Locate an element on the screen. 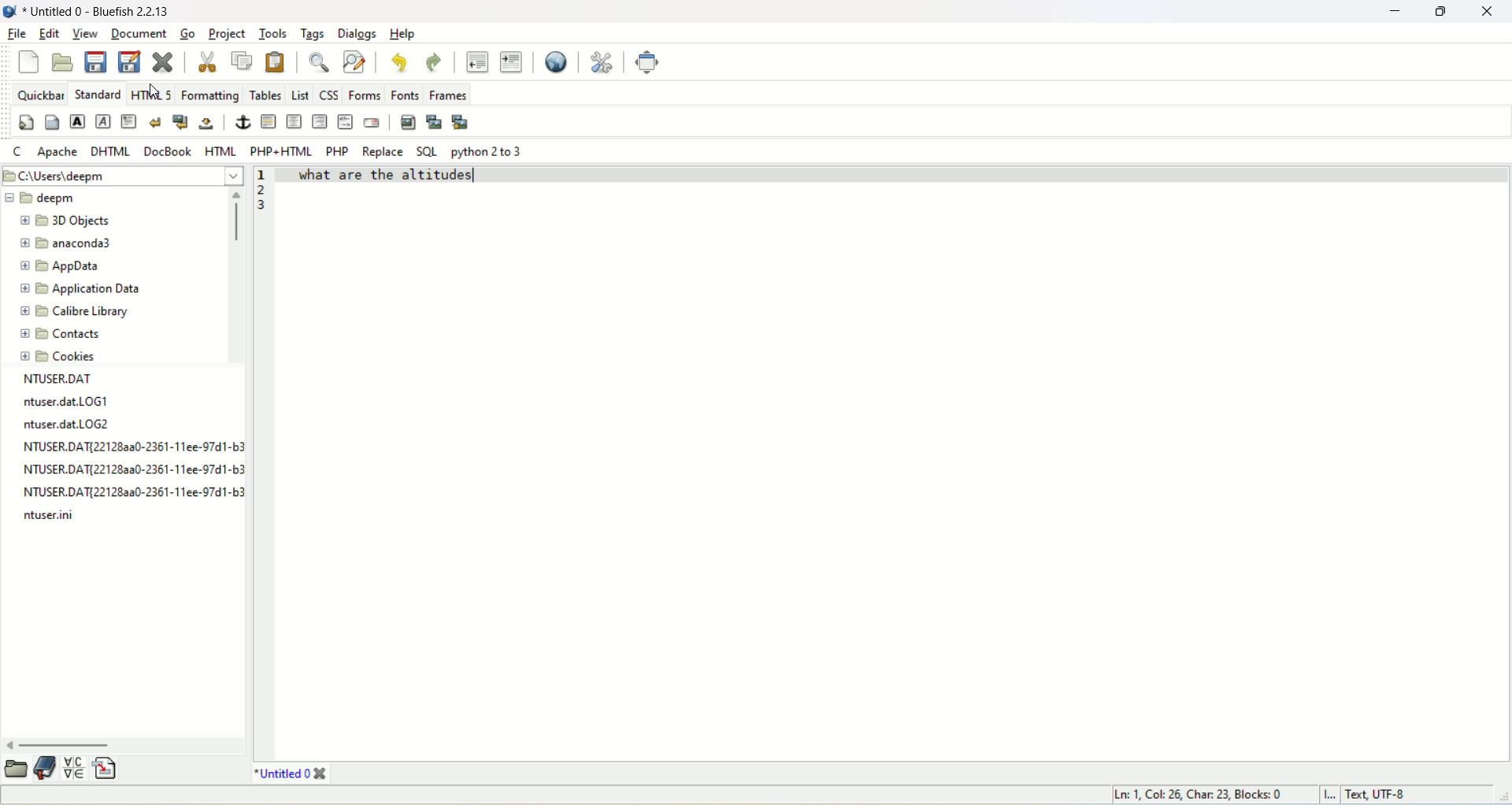  horizontal rule is located at coordinates (270, 124).